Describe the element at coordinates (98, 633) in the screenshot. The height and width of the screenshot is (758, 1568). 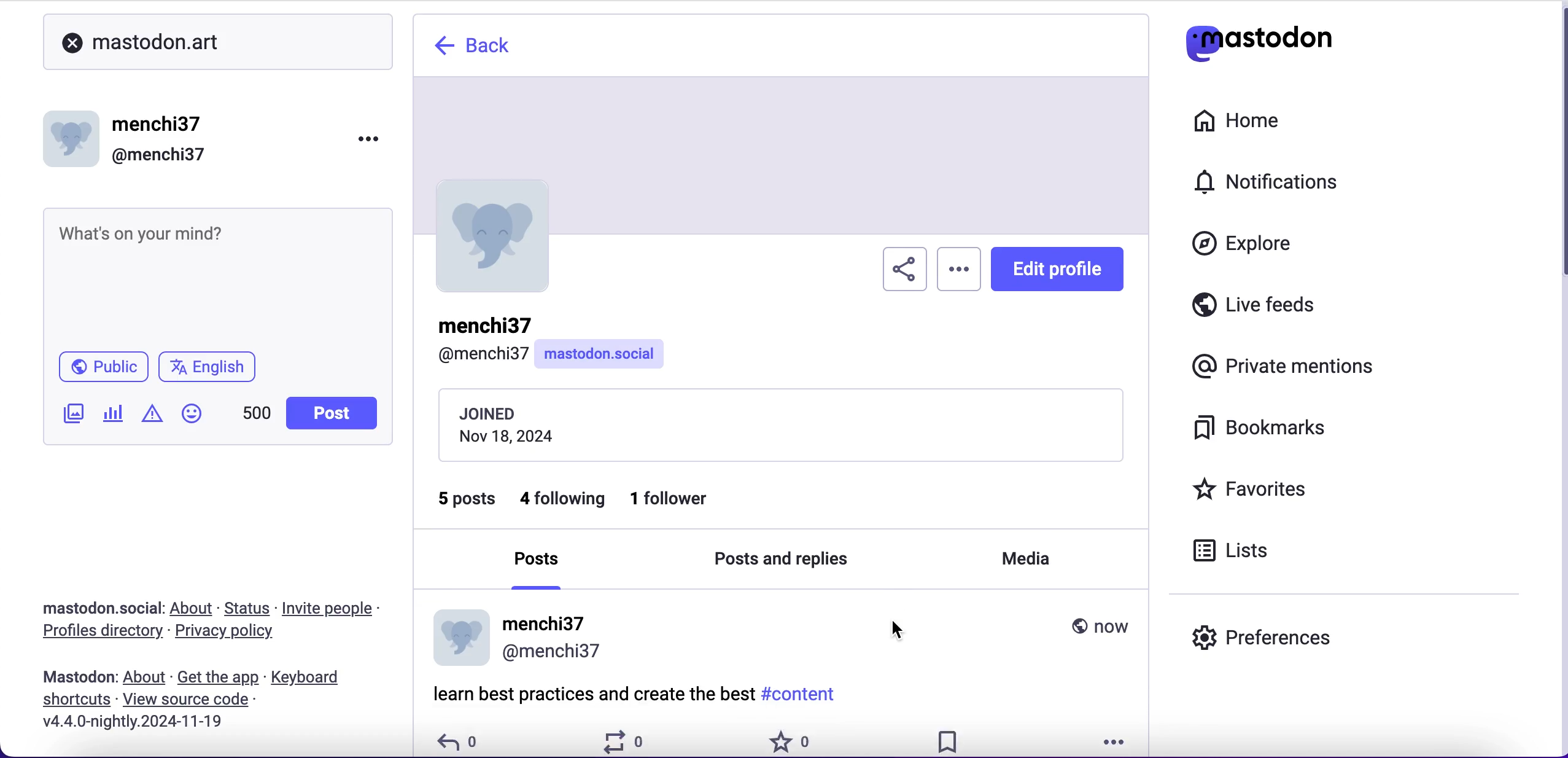
I see `profiles directory` at that location.